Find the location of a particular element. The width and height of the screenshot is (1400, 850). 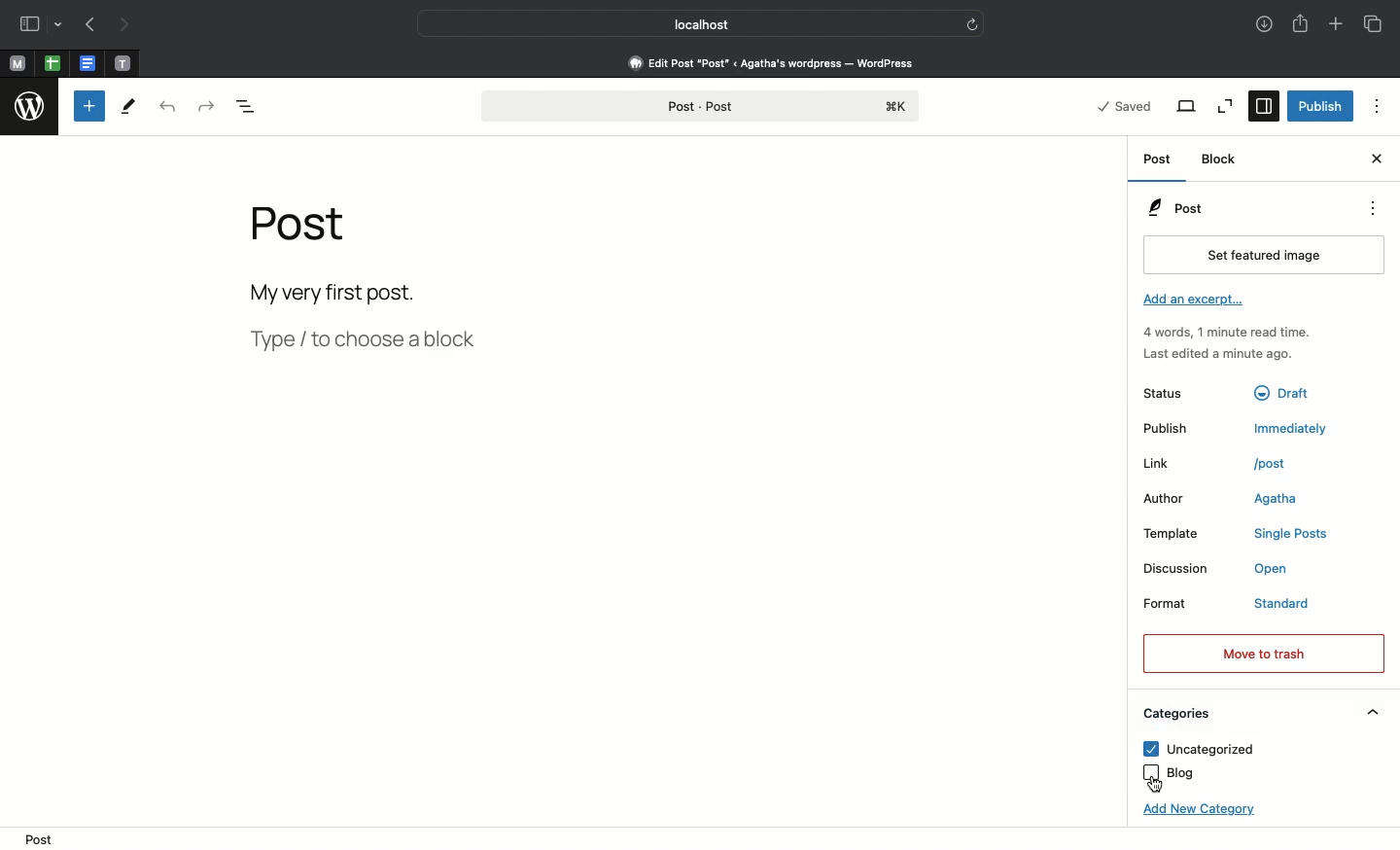

Sidebar is located at coordinates (1262, 107).